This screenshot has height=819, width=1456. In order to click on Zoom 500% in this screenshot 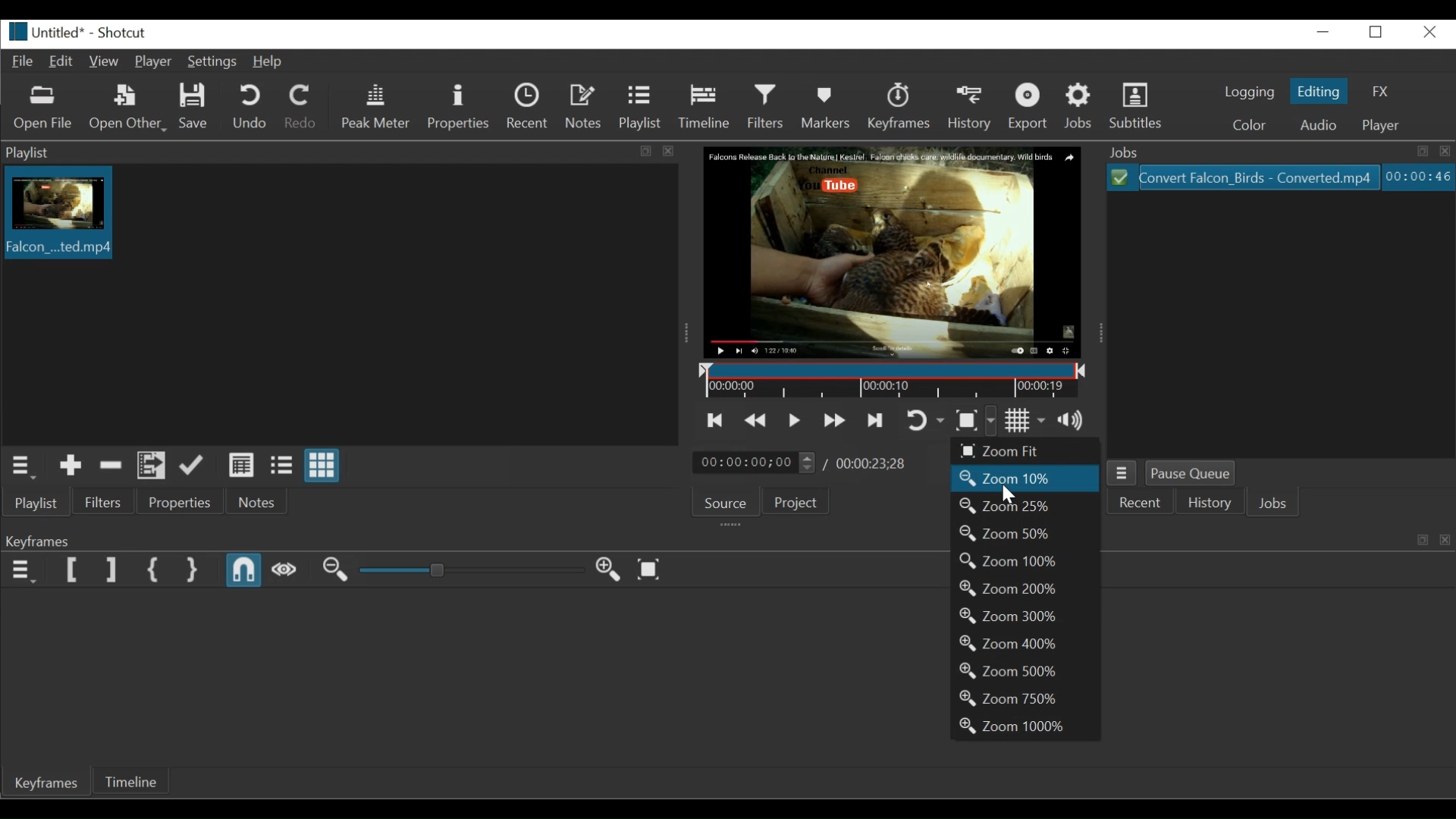, I will do `click(1023, 670)`.